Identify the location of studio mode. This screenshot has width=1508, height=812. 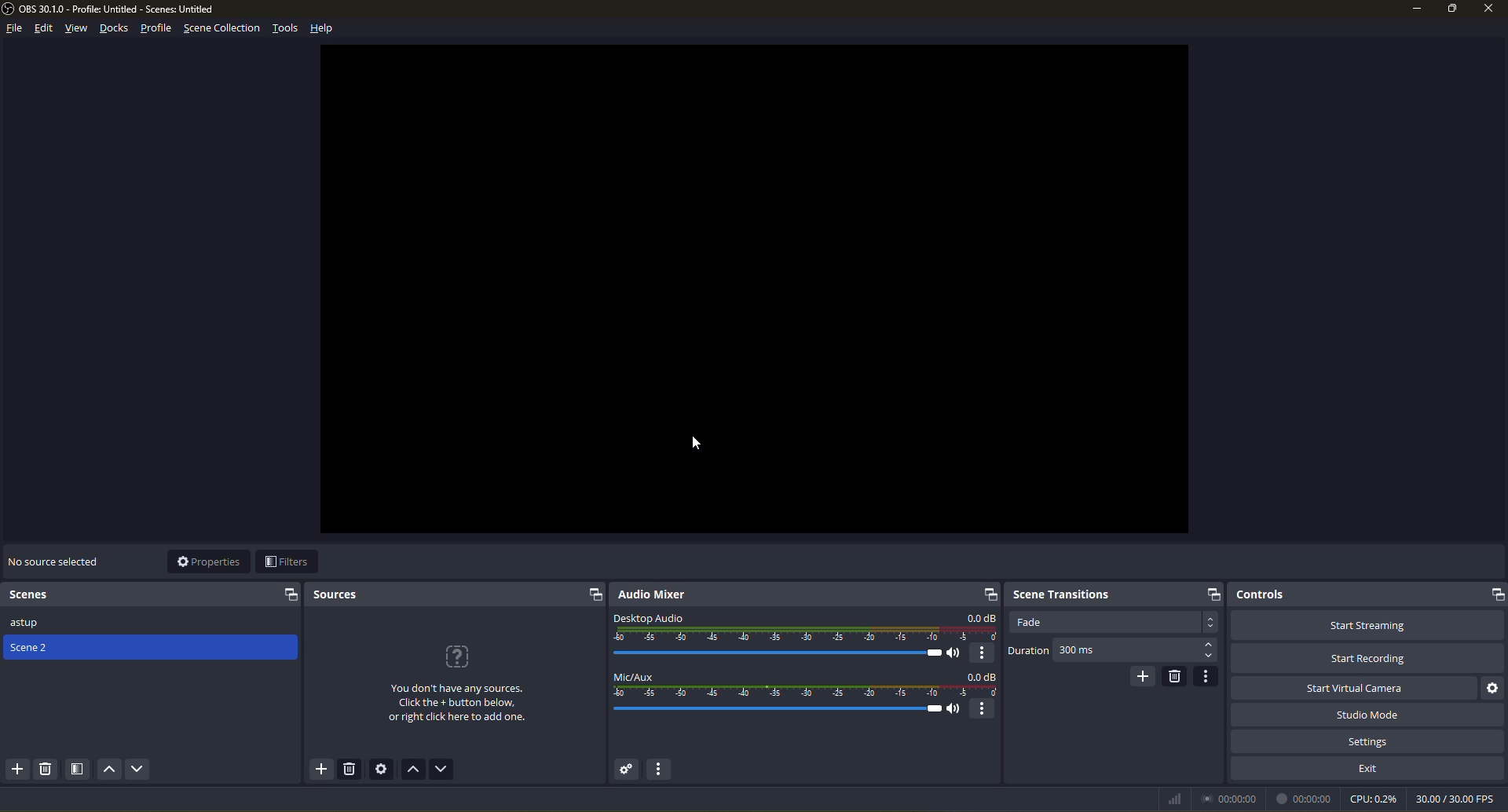
(1370, 715).